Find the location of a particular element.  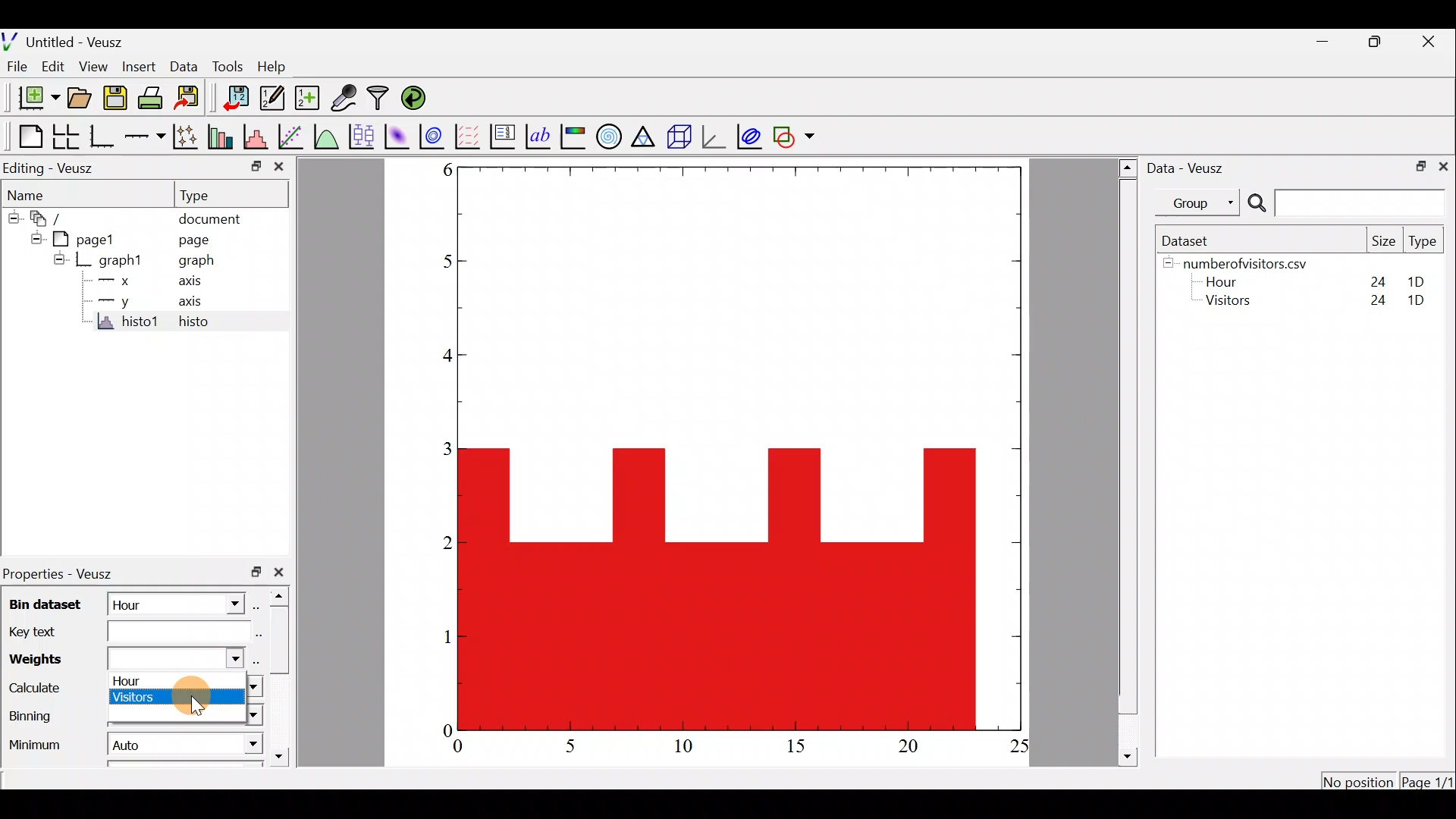

numberofvisitors.csv is located at coordinates (1254, 261).